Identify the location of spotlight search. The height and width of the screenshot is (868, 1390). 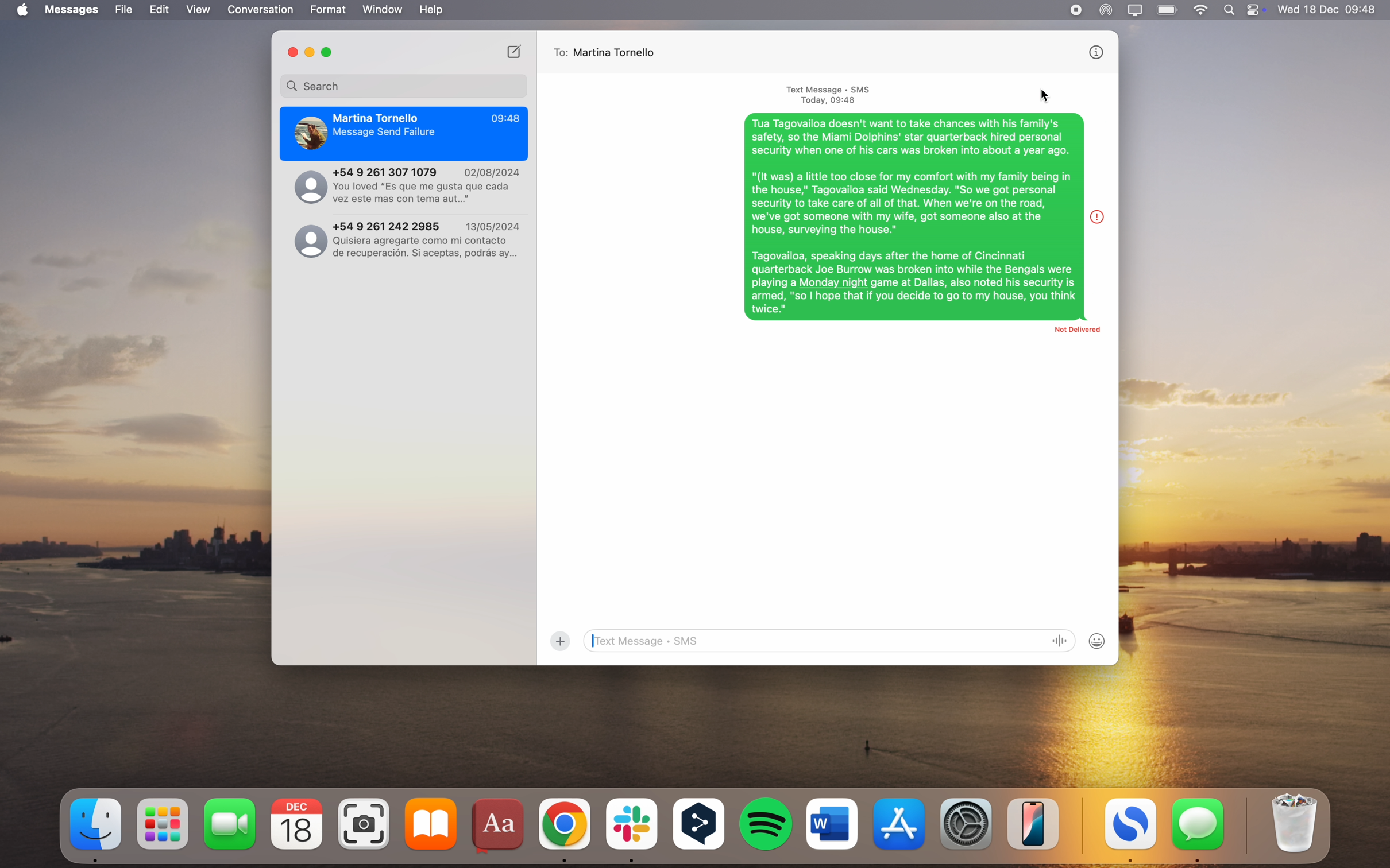
(1232, 10).